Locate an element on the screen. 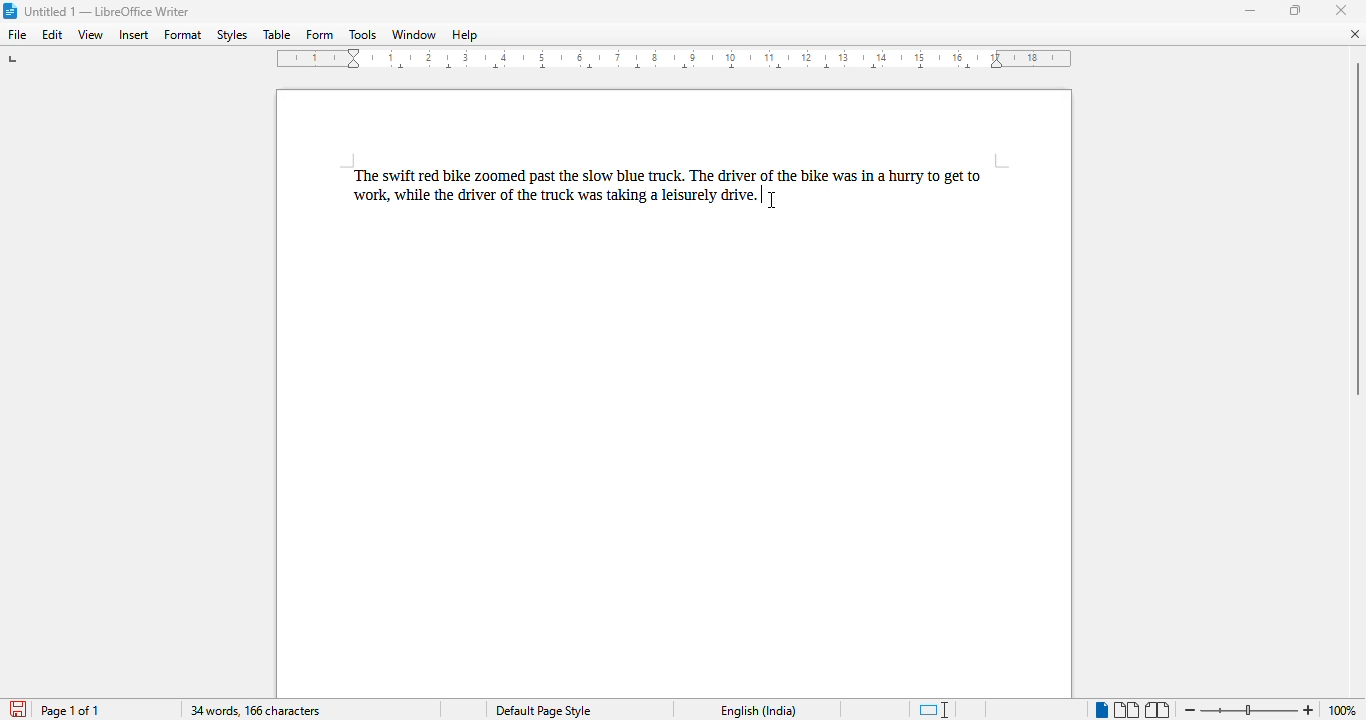  book view is located at coordinates (1159, 711).